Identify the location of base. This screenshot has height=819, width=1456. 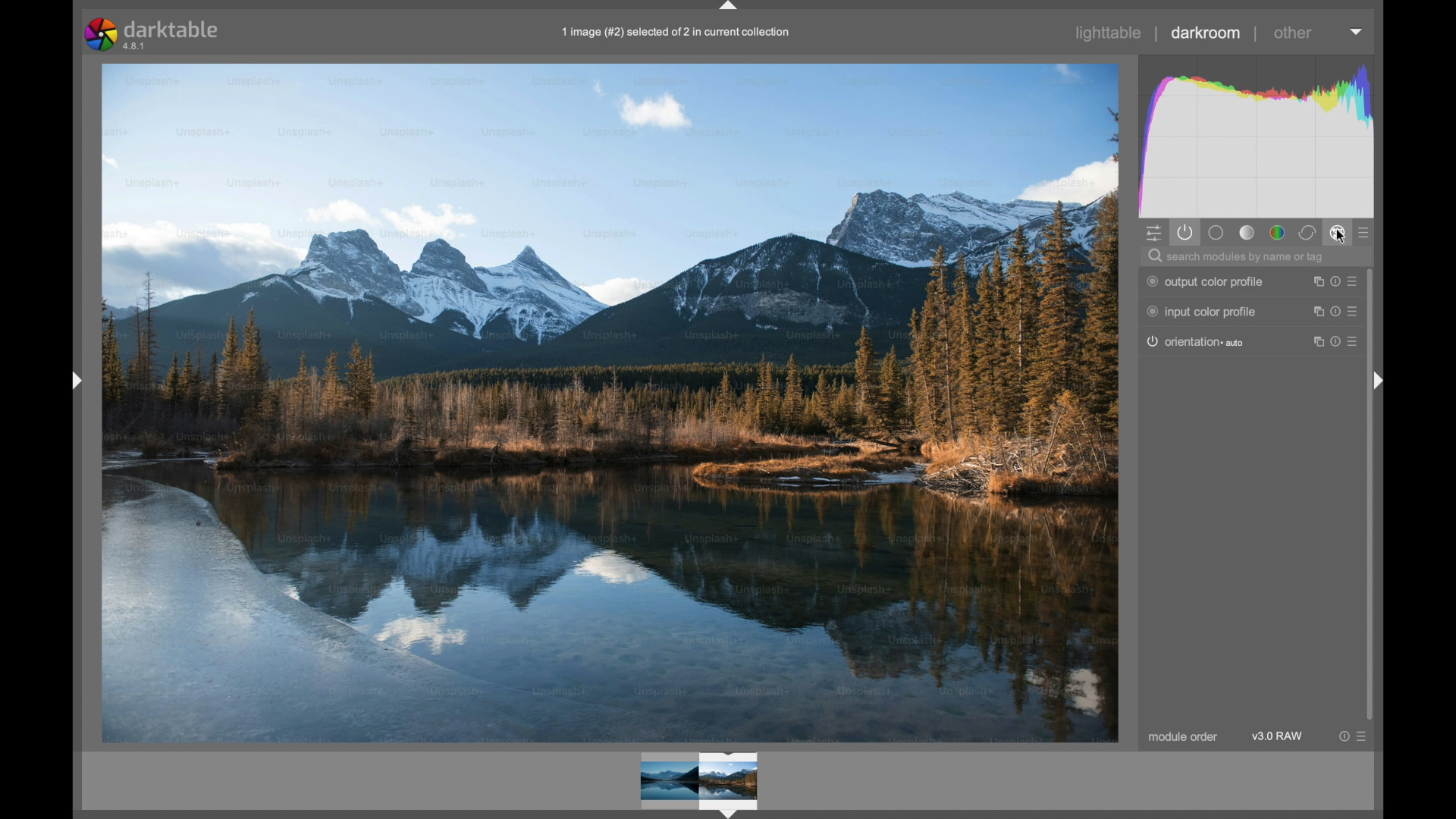
(1215, 233).